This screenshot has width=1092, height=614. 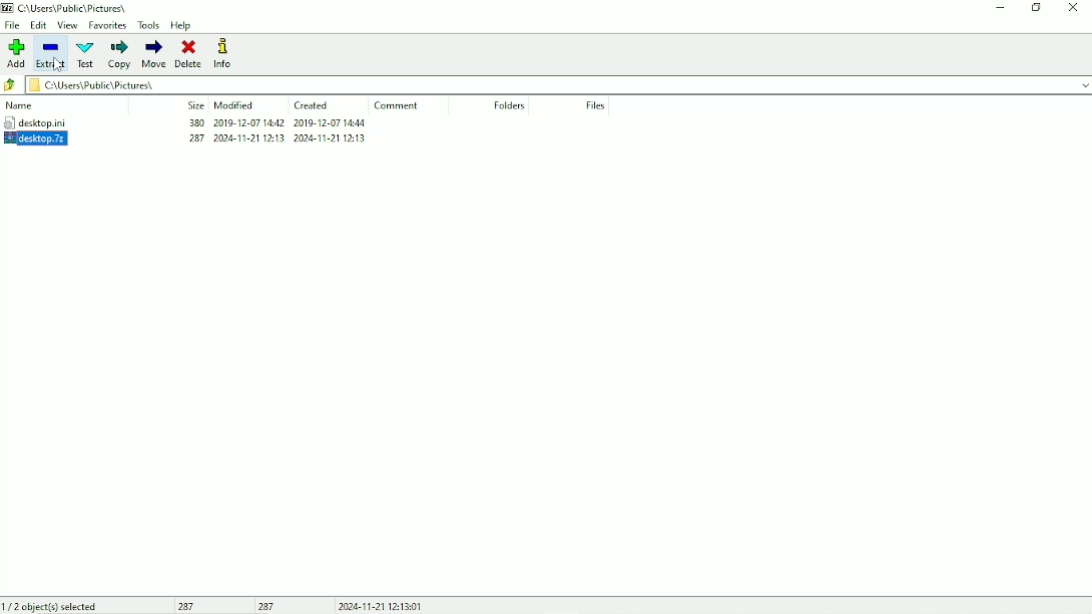 I want to click on Add, so click(x=17, y=53).